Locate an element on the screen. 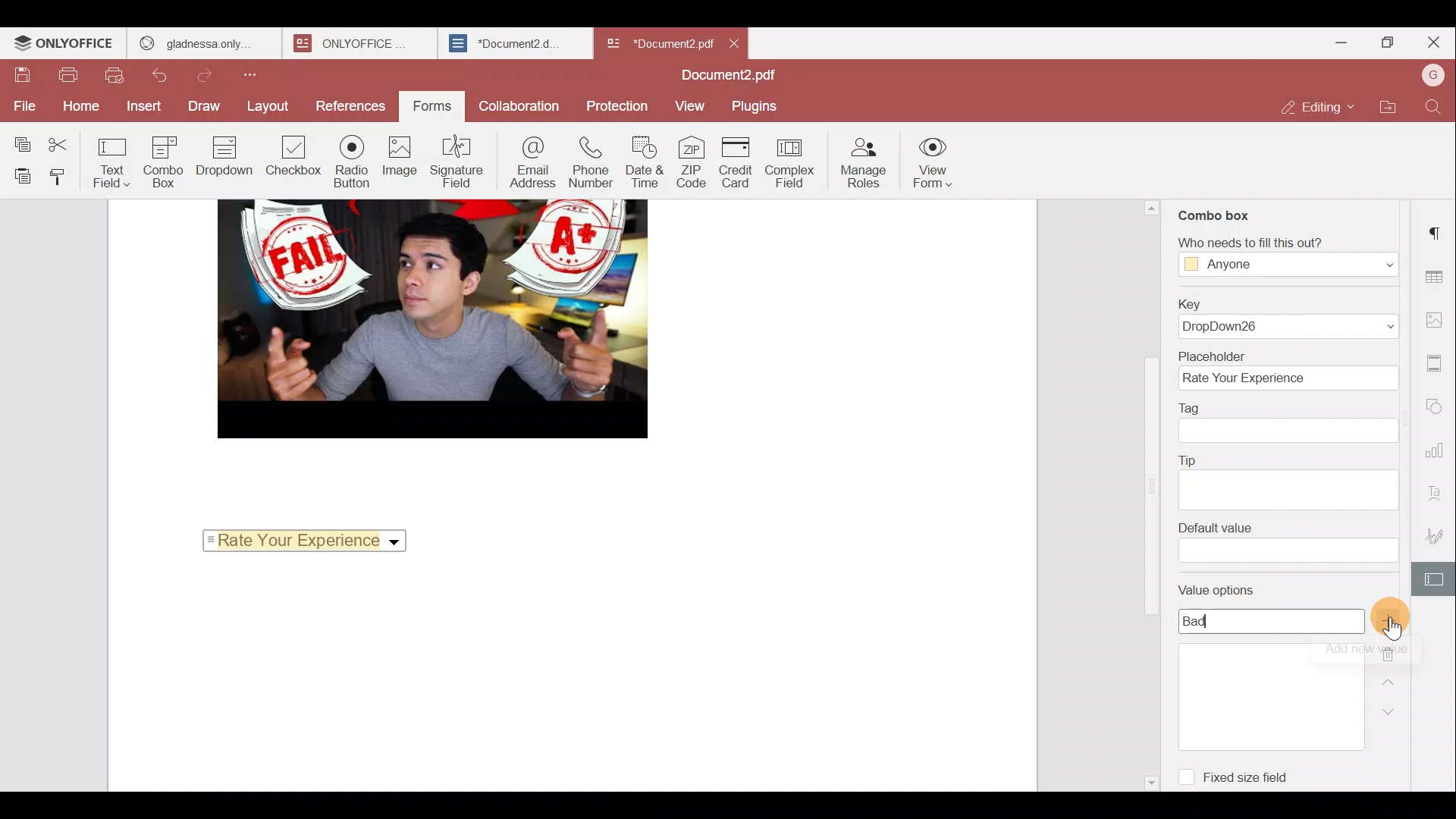  Fixed size field is located at coordinates (1236, 773).